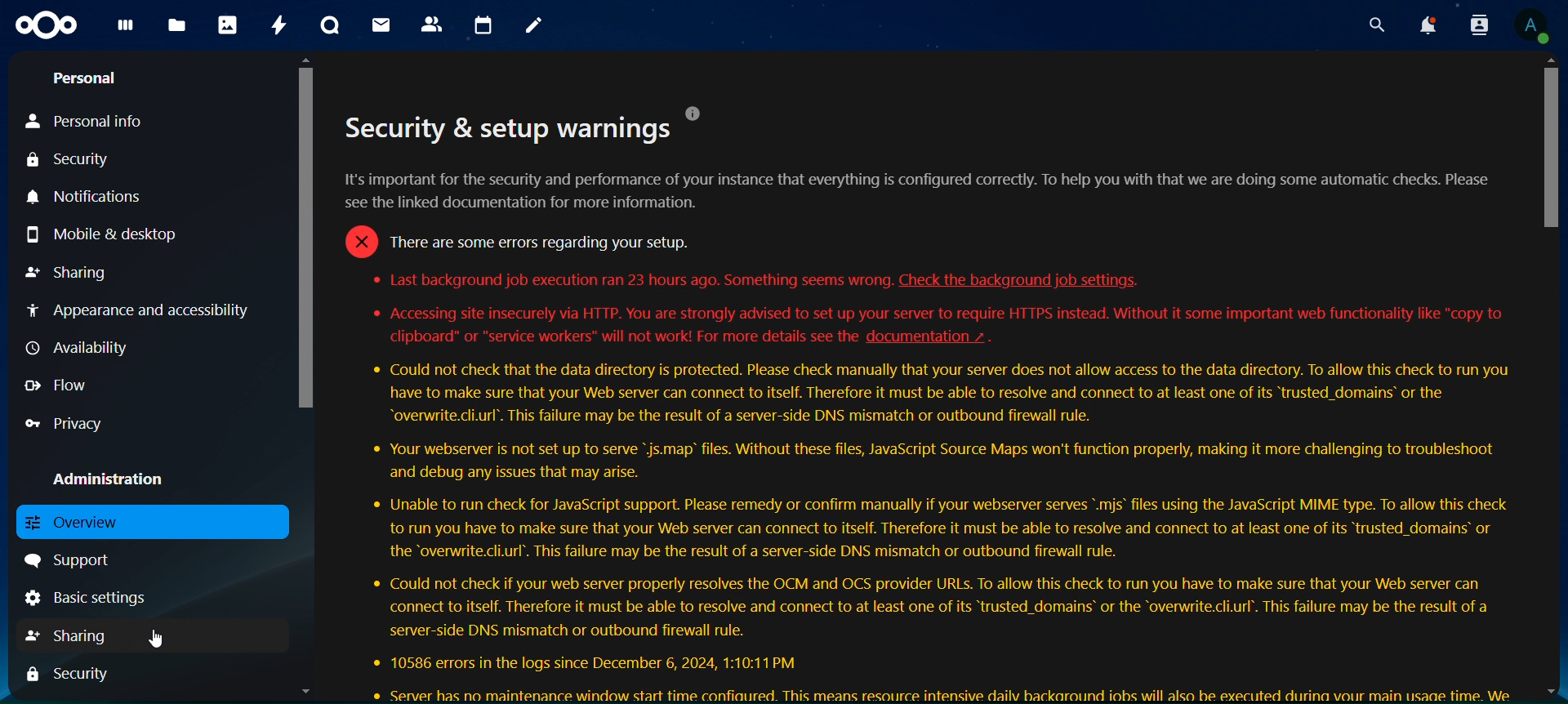 The width and height of the screenshot is (1568, 704). I want to click on notifications, so click(1427, 25).